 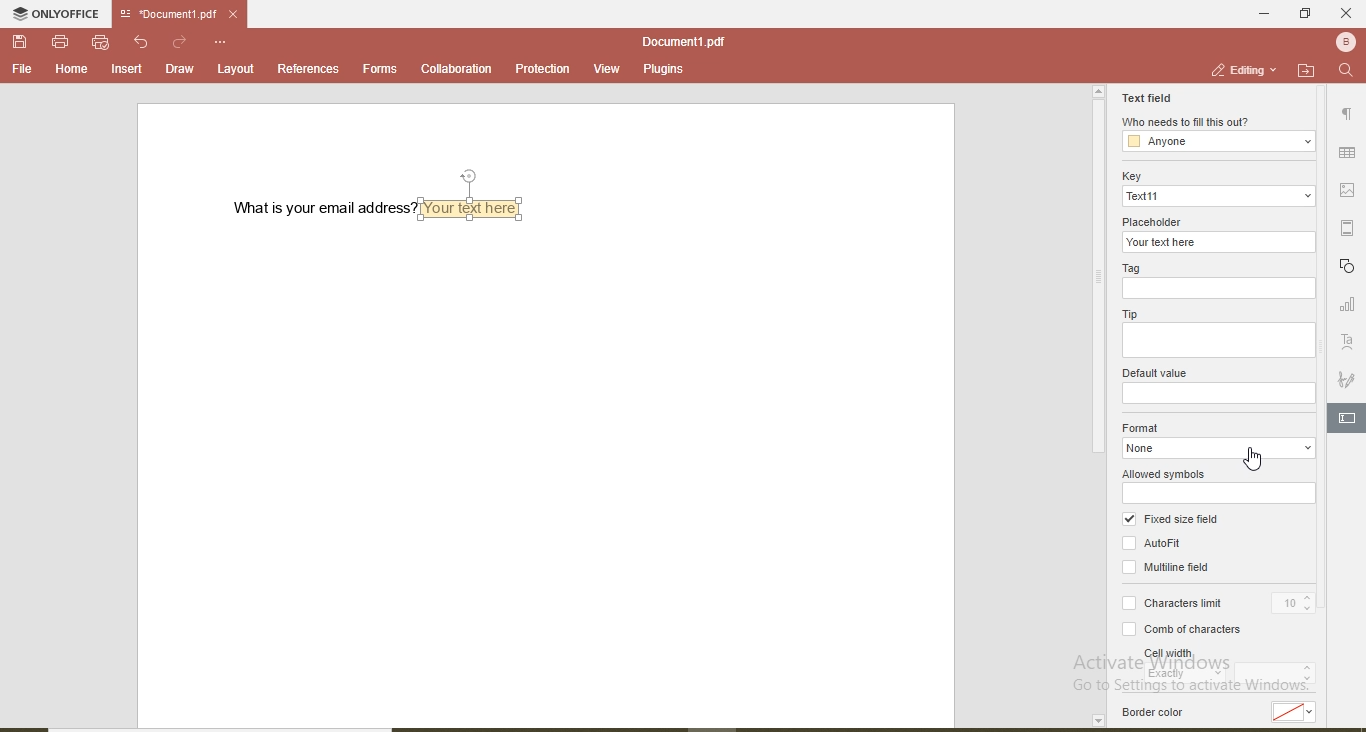 I want to click on quick print, so click(x=101, y=42).